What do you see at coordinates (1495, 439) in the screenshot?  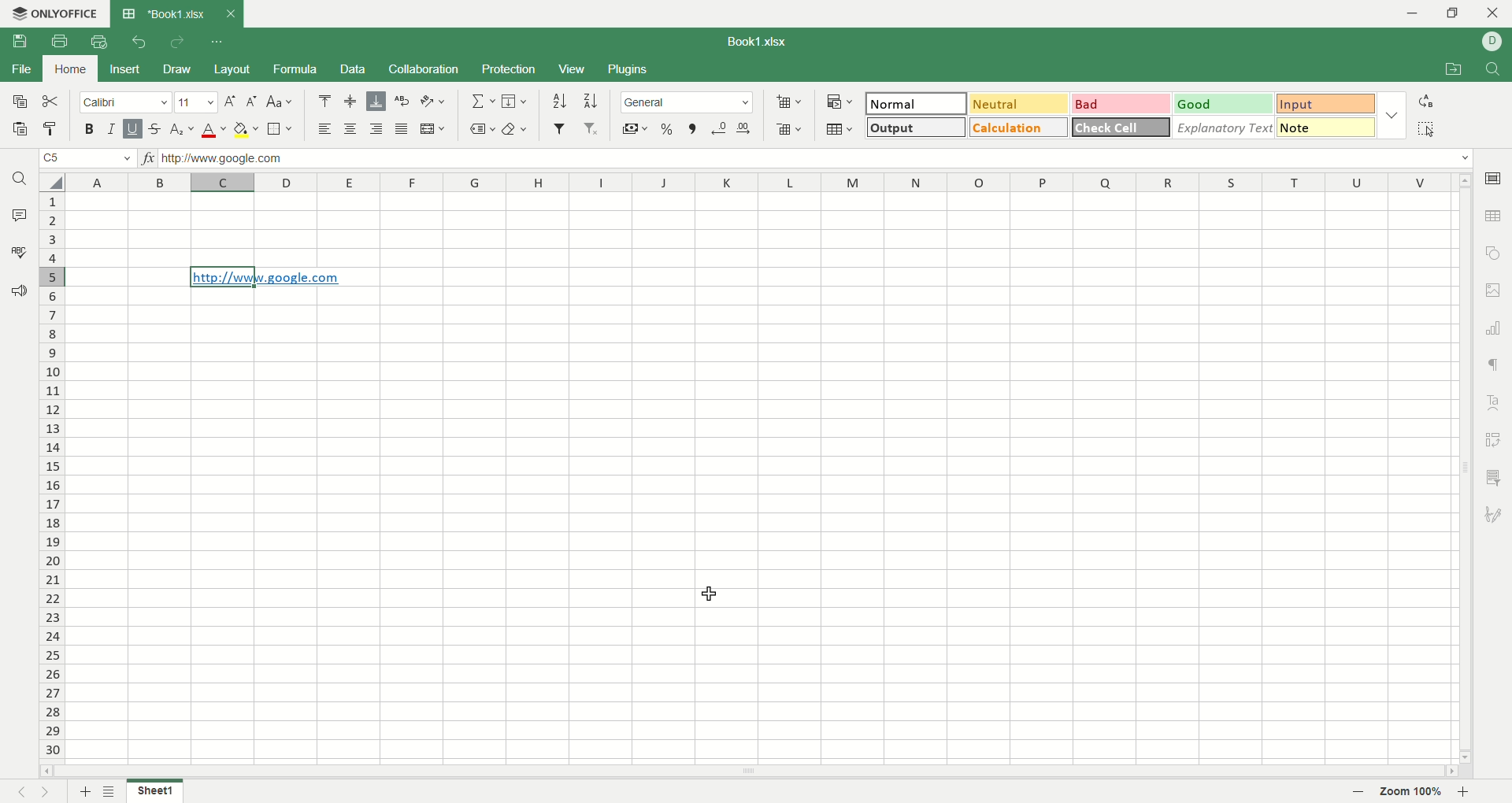 I see `pivot settings` at bounding box center [1495, 439].